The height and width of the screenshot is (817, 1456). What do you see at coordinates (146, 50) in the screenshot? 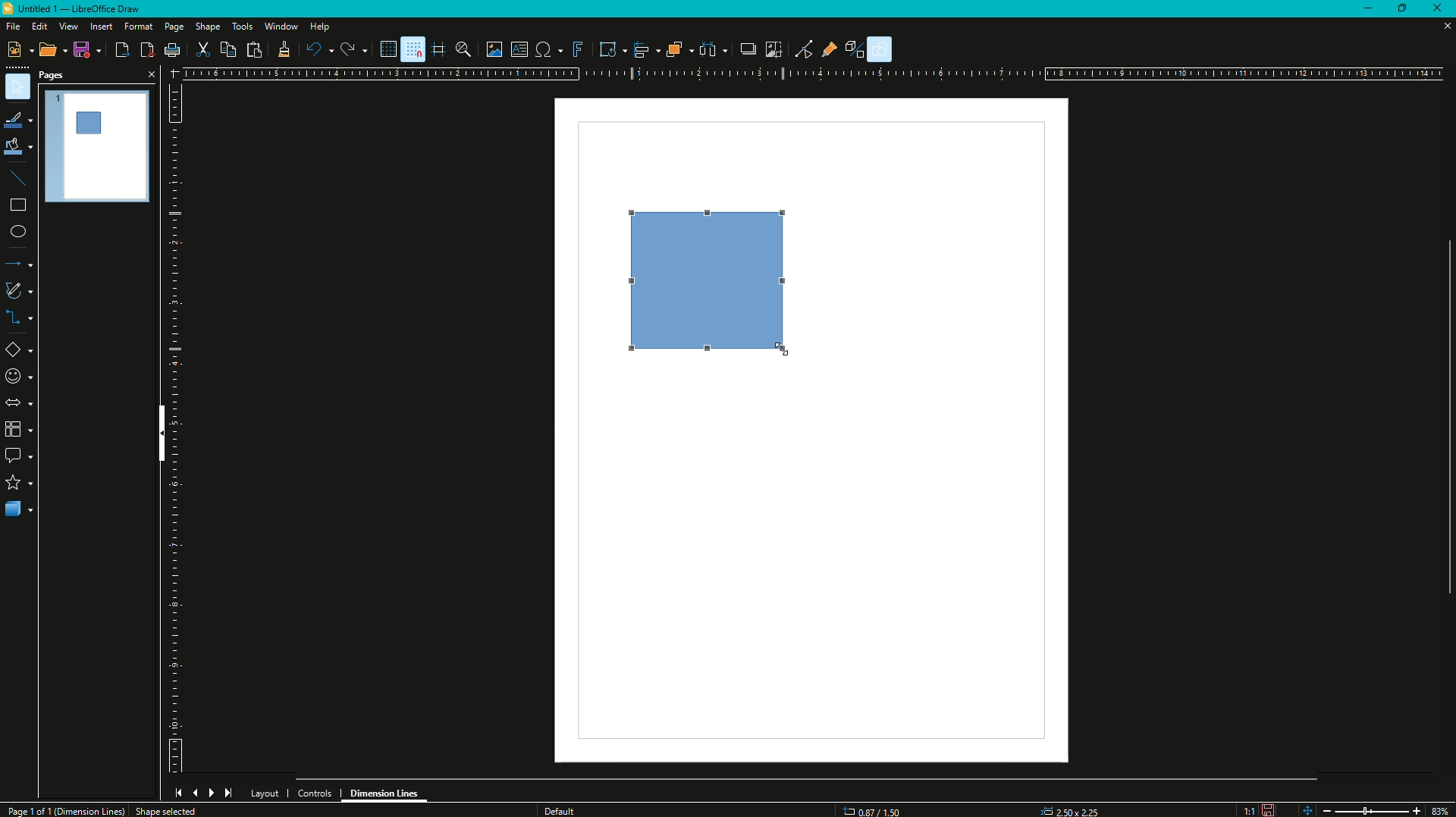
I see `Export Directly as PDF` at bounding box center [146, 50].